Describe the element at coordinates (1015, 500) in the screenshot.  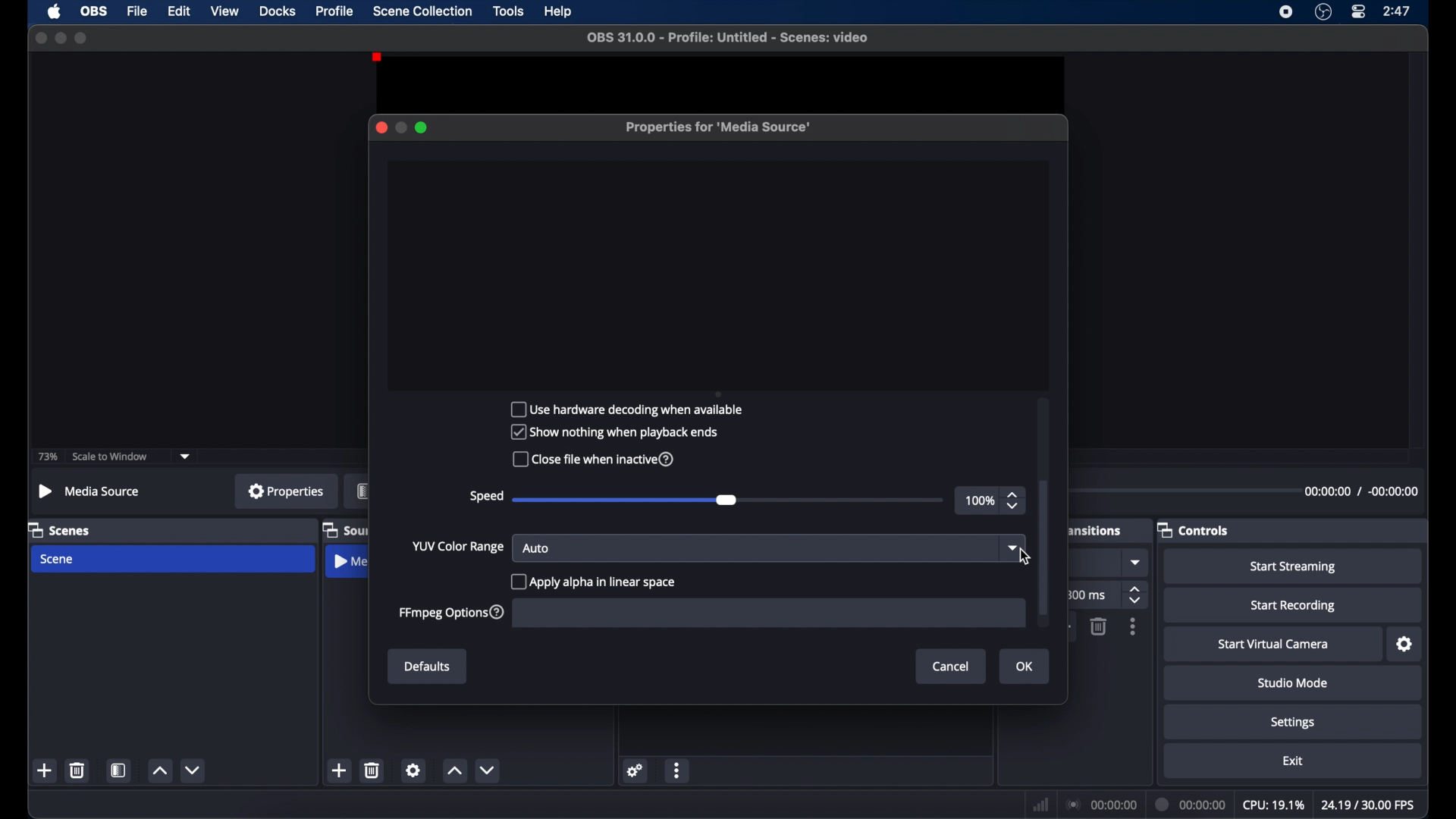
I see `stepper button` at that location.